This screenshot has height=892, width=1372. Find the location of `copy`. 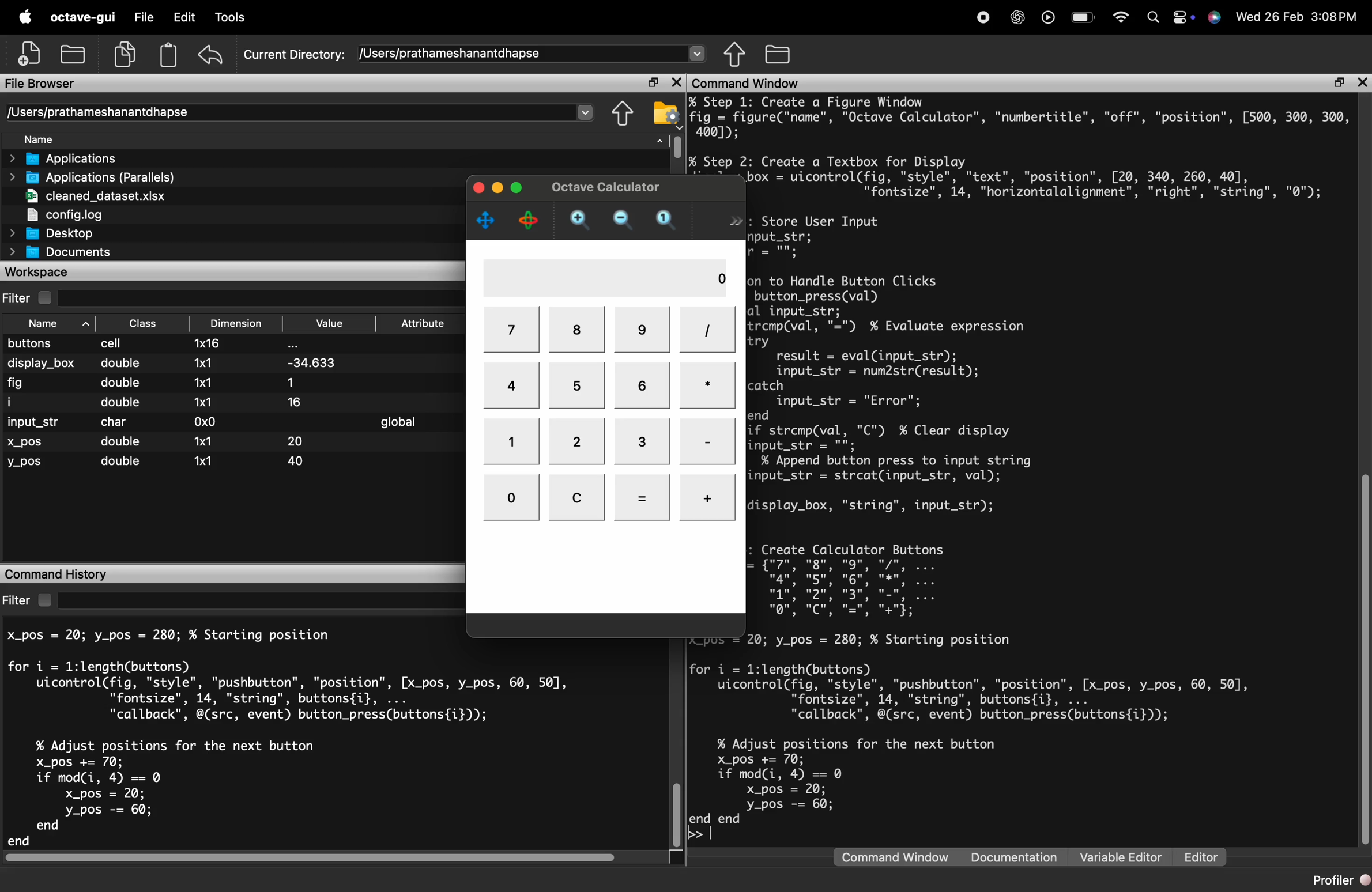

copy is located at coordinates (126, 53).